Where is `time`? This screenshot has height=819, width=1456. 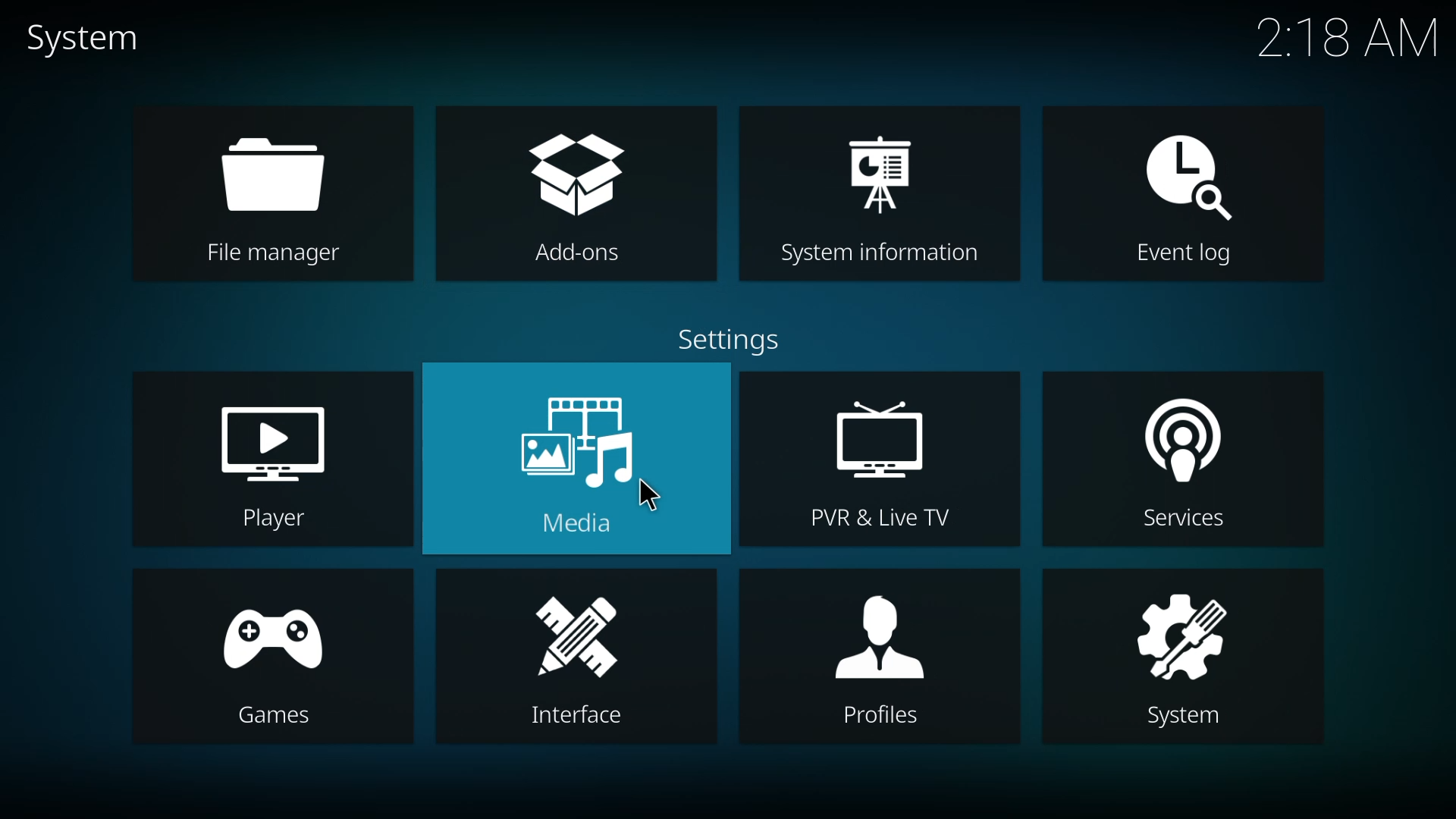 time is located at coordinates (1345, 37).